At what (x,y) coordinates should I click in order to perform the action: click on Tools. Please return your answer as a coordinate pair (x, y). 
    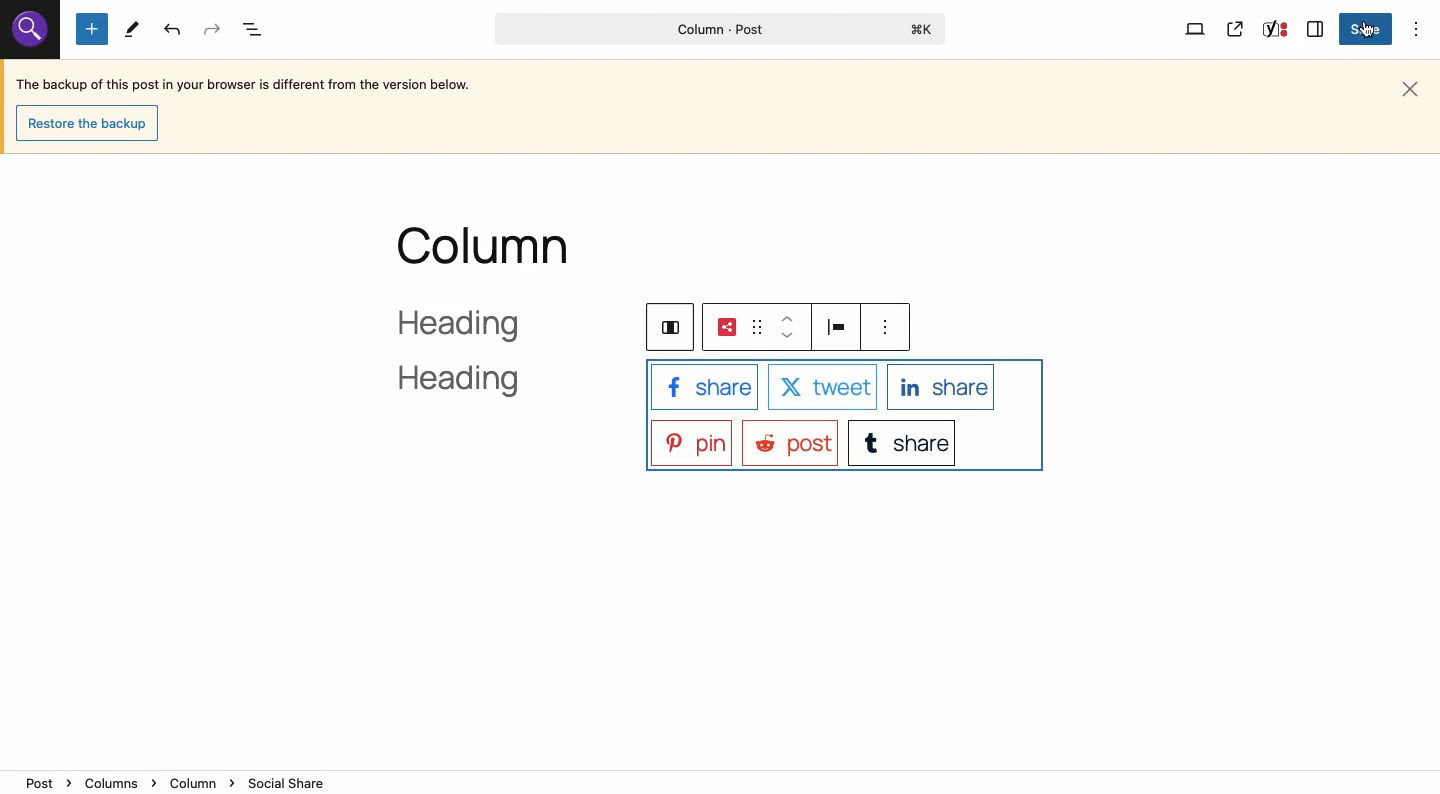
    Looking at the image, I should click on (132, 30).